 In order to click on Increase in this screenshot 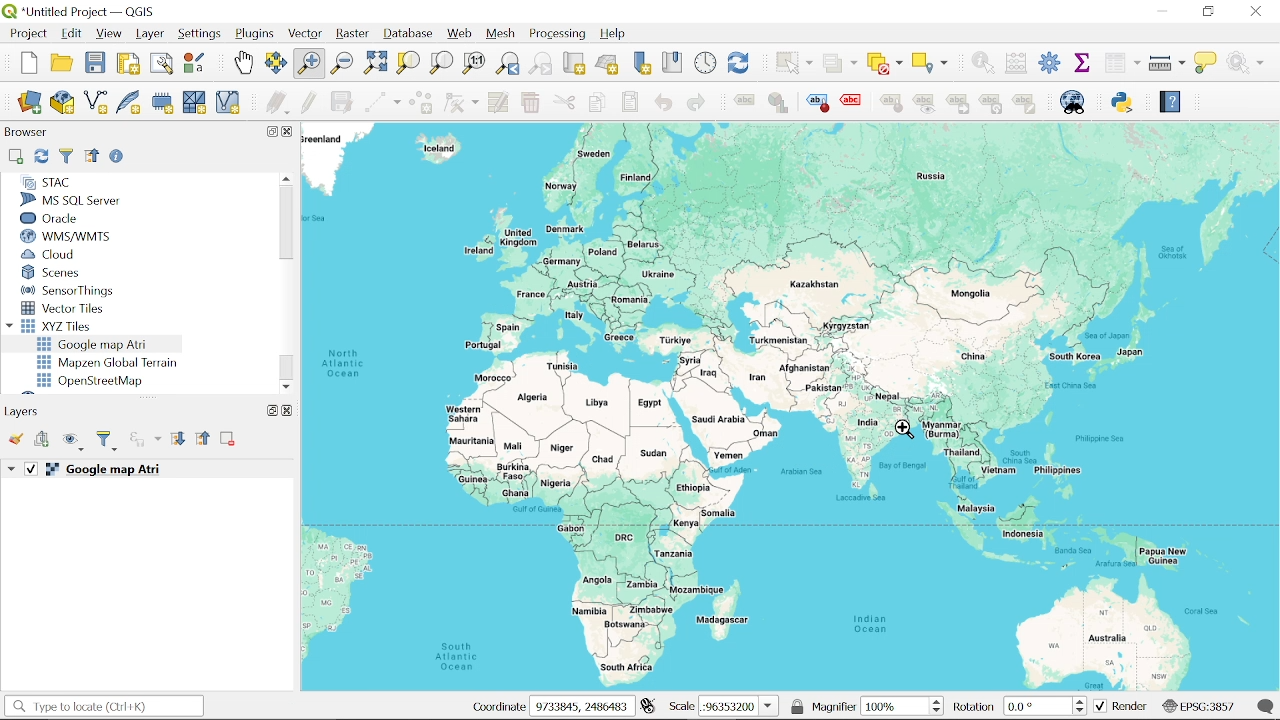, I will do `click(1083, 699)`.